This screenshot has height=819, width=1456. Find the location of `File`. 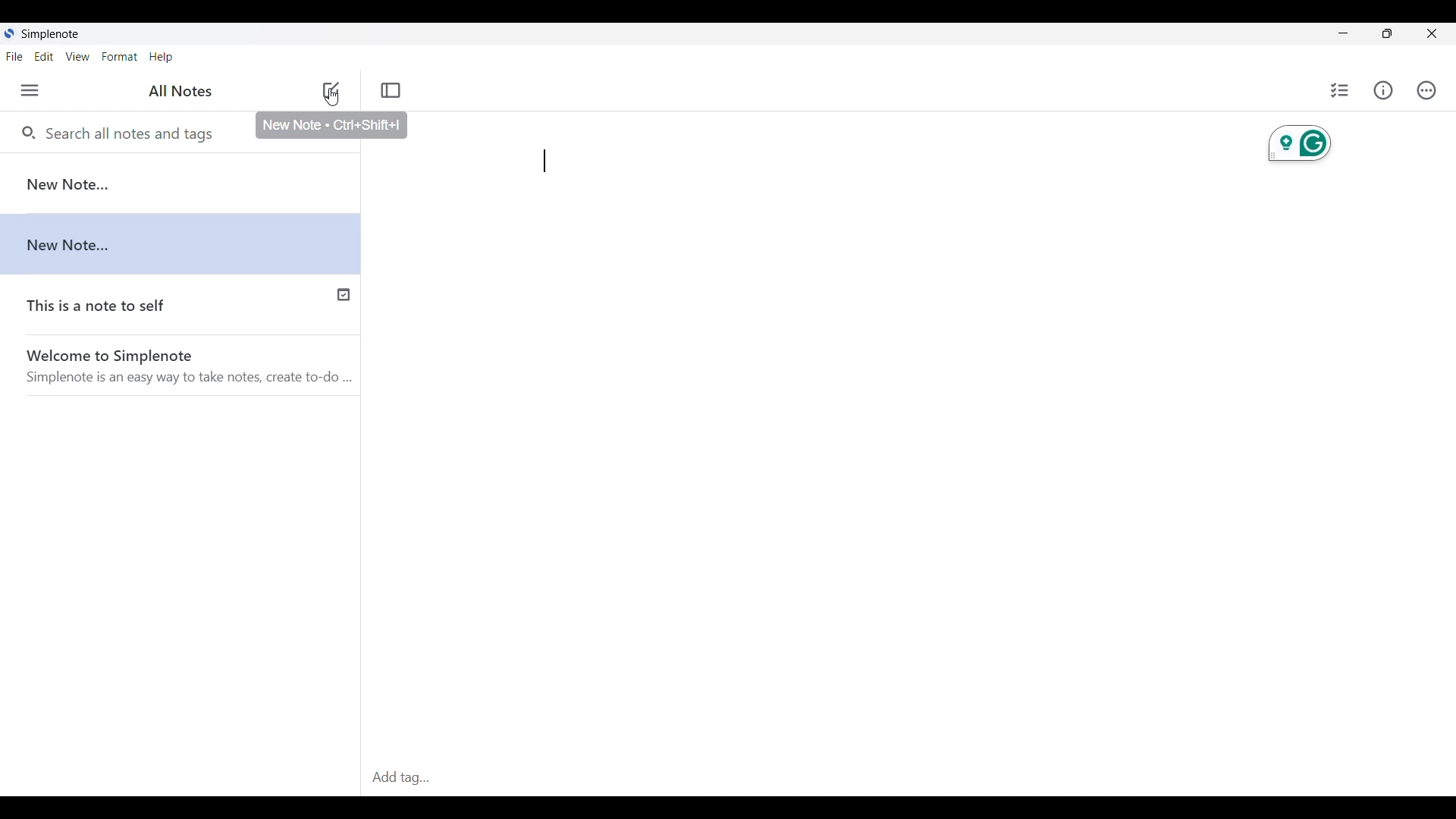

File is located at coordinates (14, 56).